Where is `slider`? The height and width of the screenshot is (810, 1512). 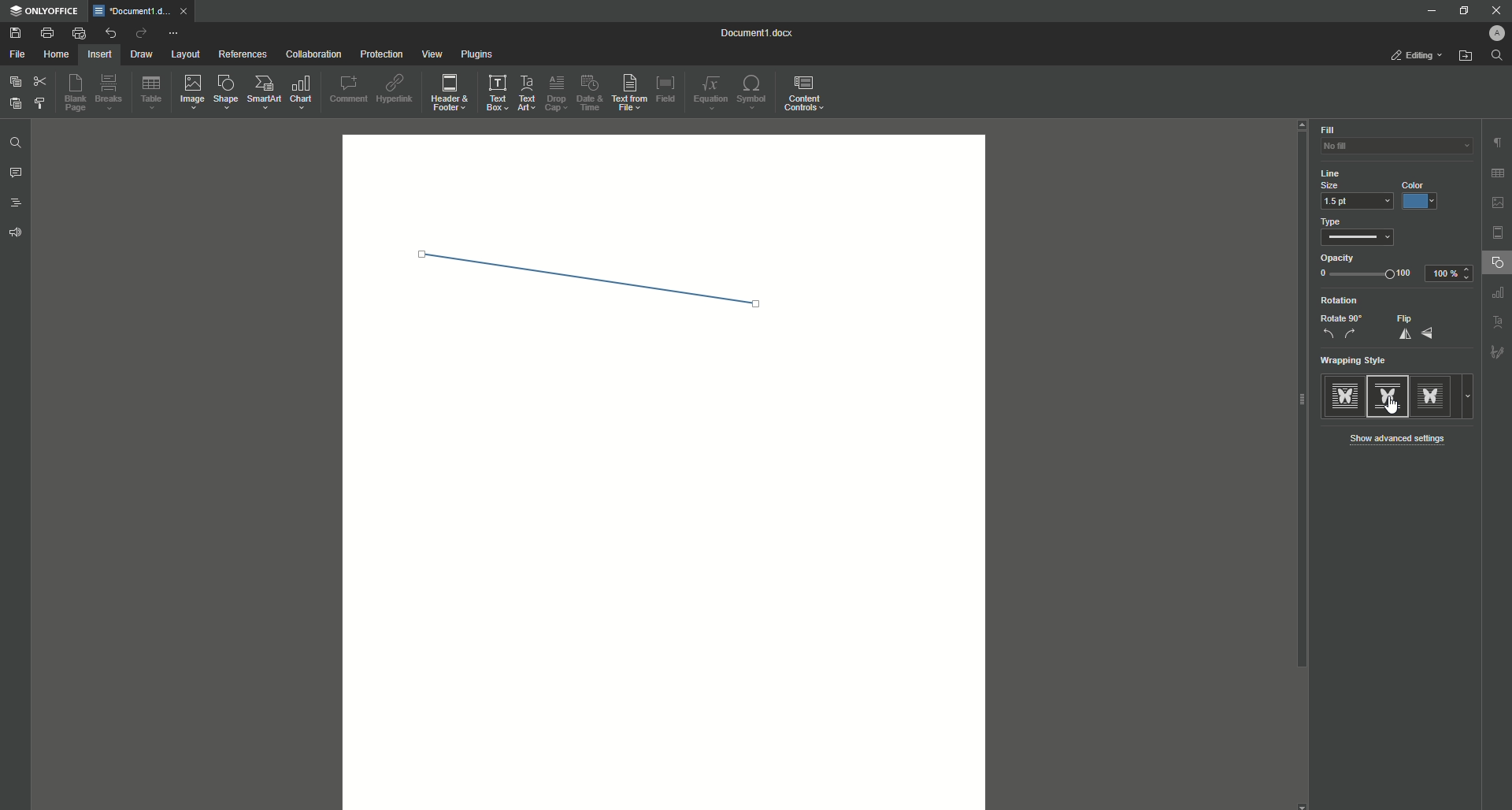 slider is located at coordinates (1287, 405).